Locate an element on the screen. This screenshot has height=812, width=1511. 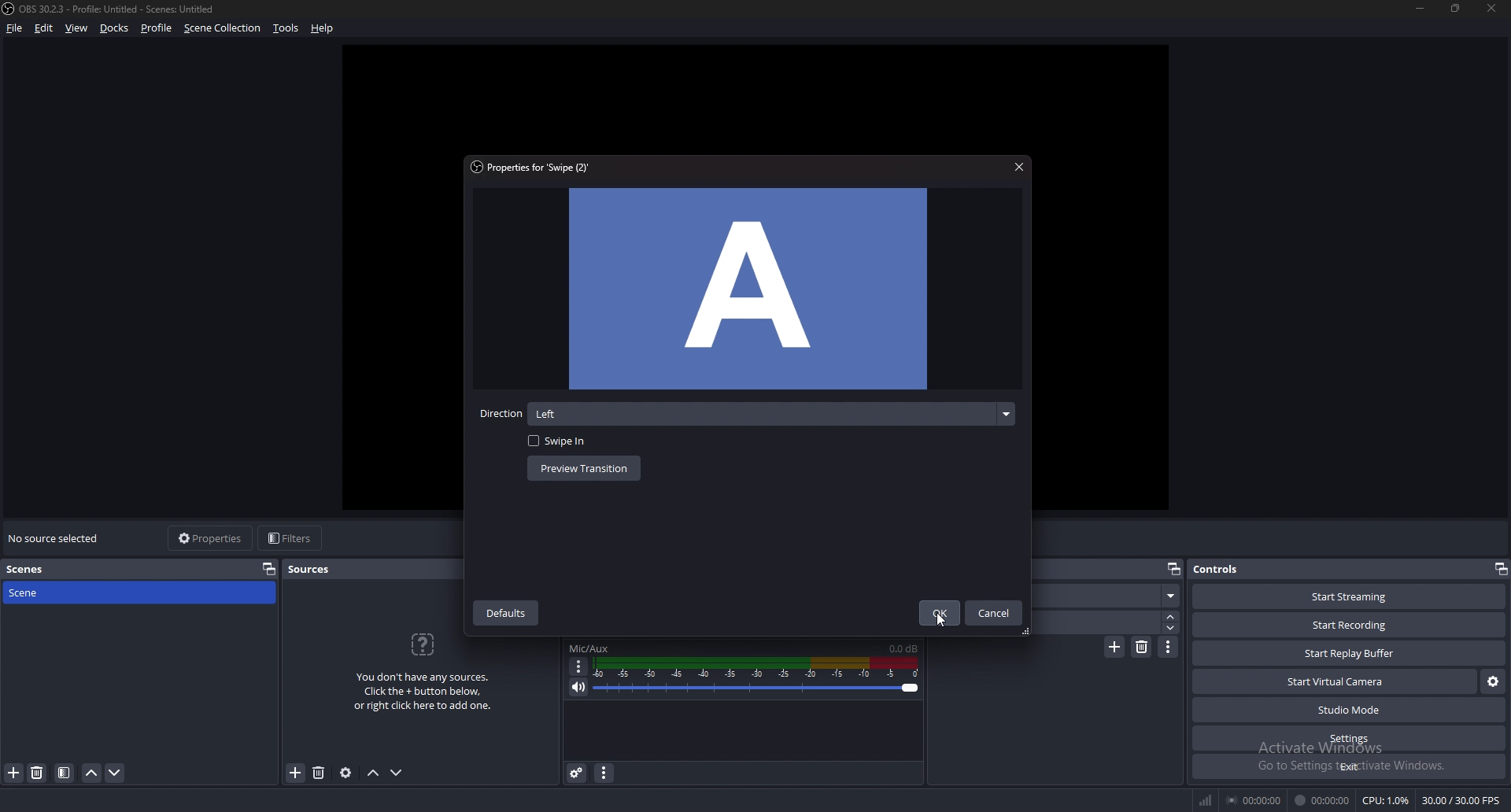
options is located at coordinates (579, 666).